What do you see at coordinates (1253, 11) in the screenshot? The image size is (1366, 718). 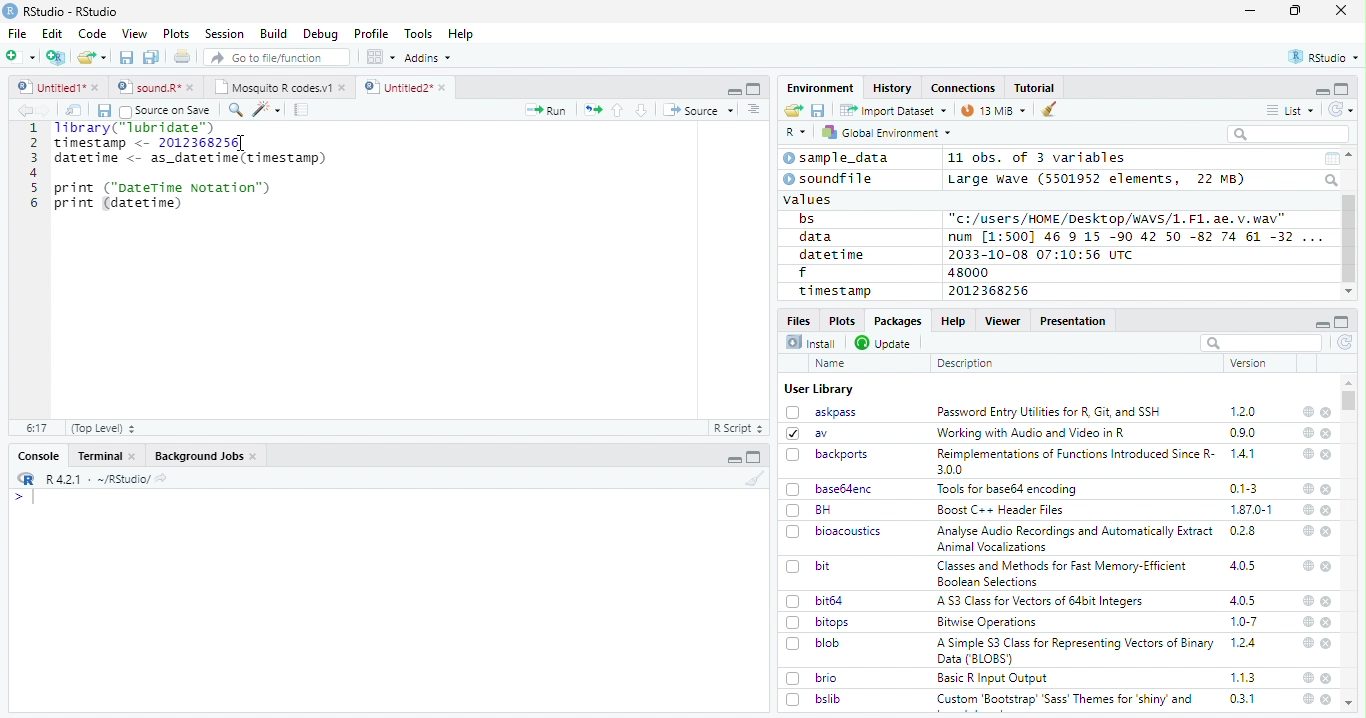 I see `minimize` at bounding box center [1253, 11].